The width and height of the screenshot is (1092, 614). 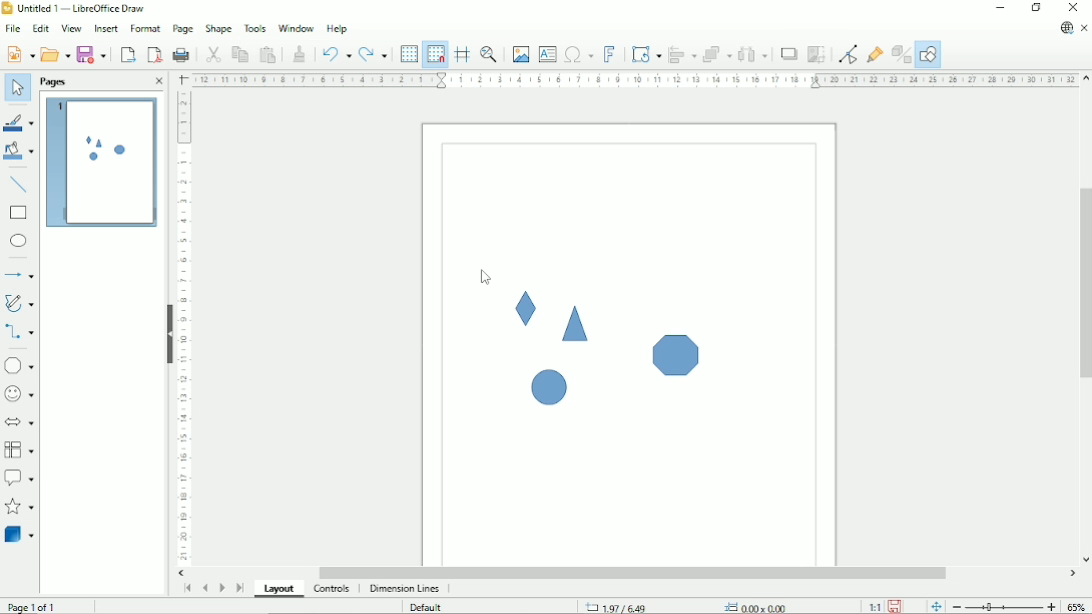 I want to click on Ellipse, so click(x=19, y=241).